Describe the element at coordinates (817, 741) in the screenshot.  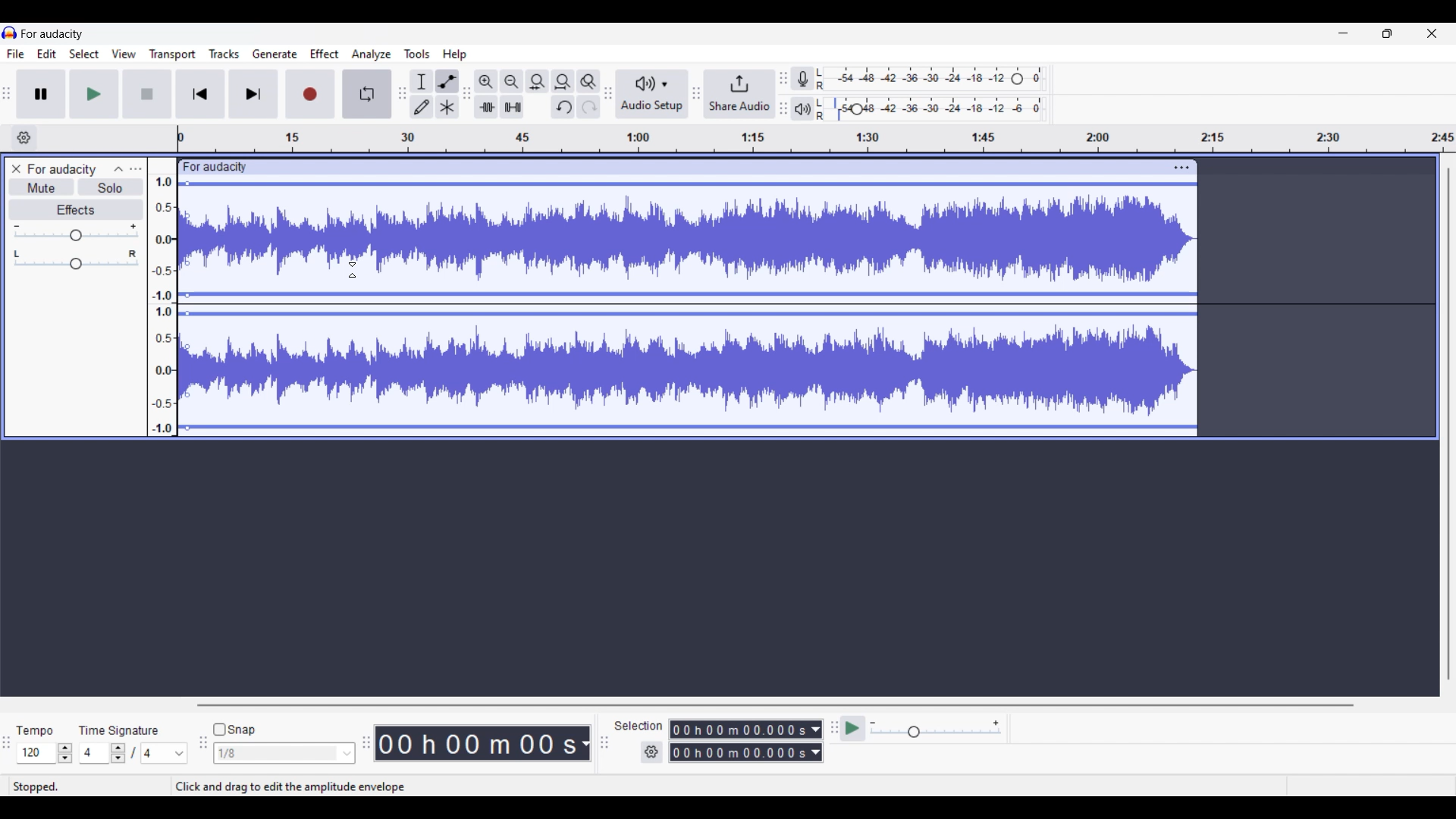
I see `Duration measurement` at that location.